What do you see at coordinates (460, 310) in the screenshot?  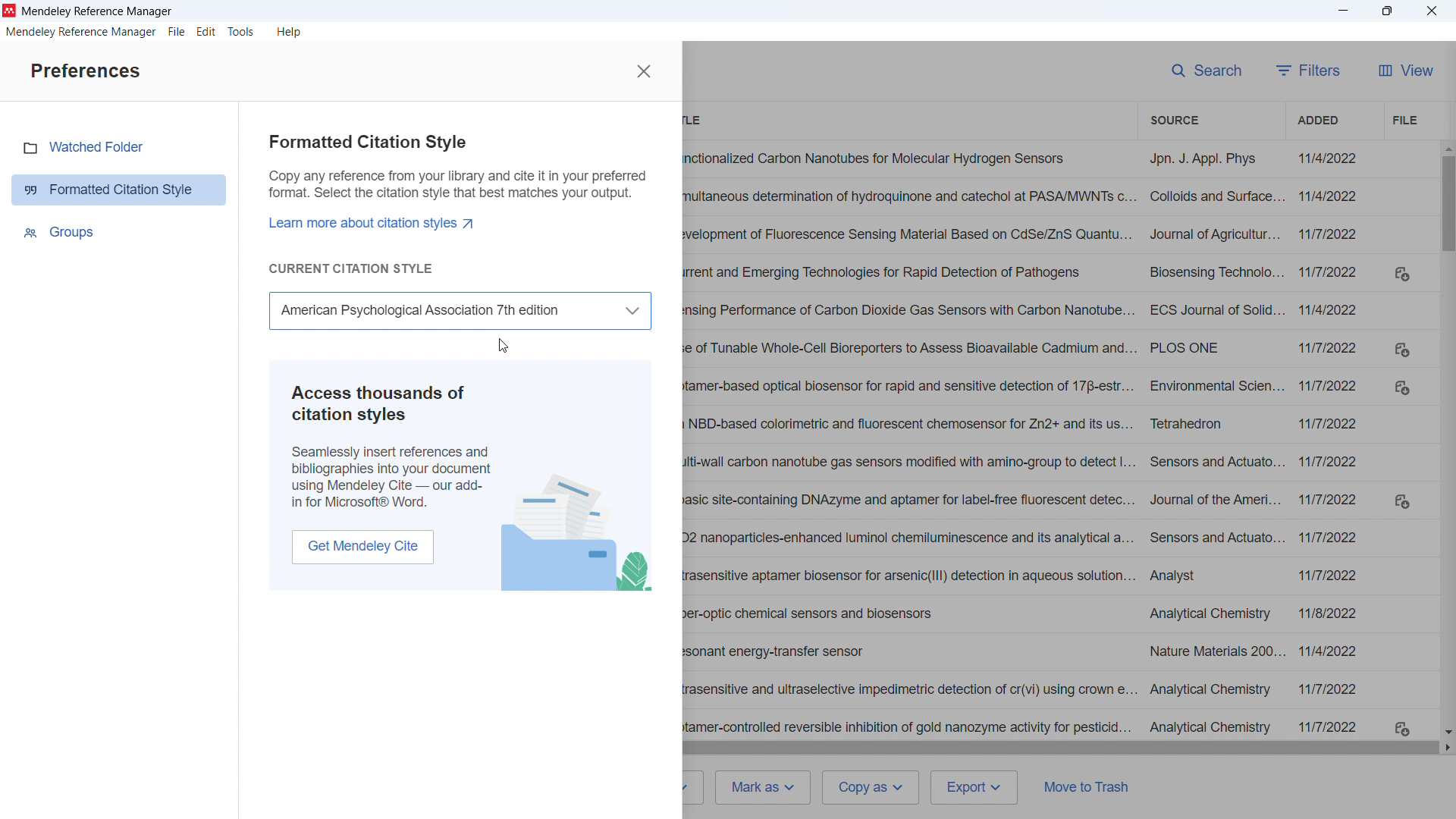 I see `american psychological association 7th edition selected as citation style` at bounding box center [460, 310].